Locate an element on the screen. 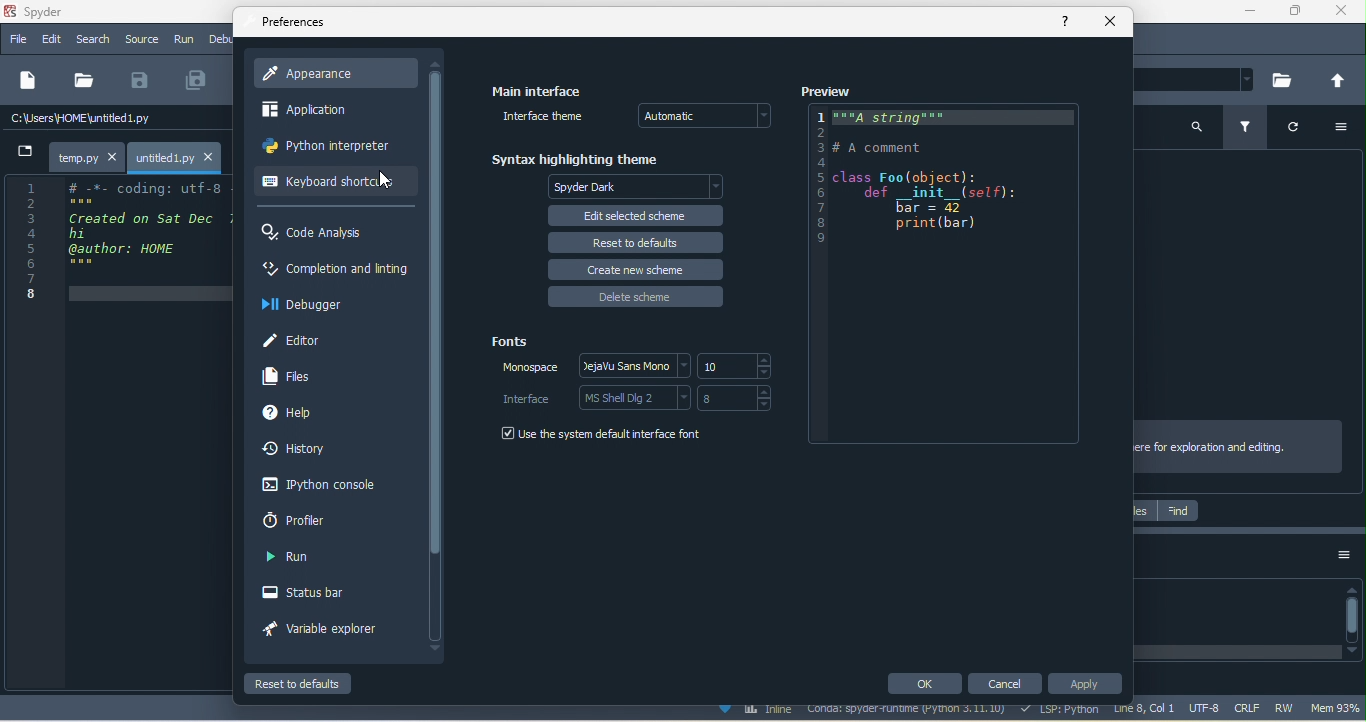  files is located at coordinates (292, 376).